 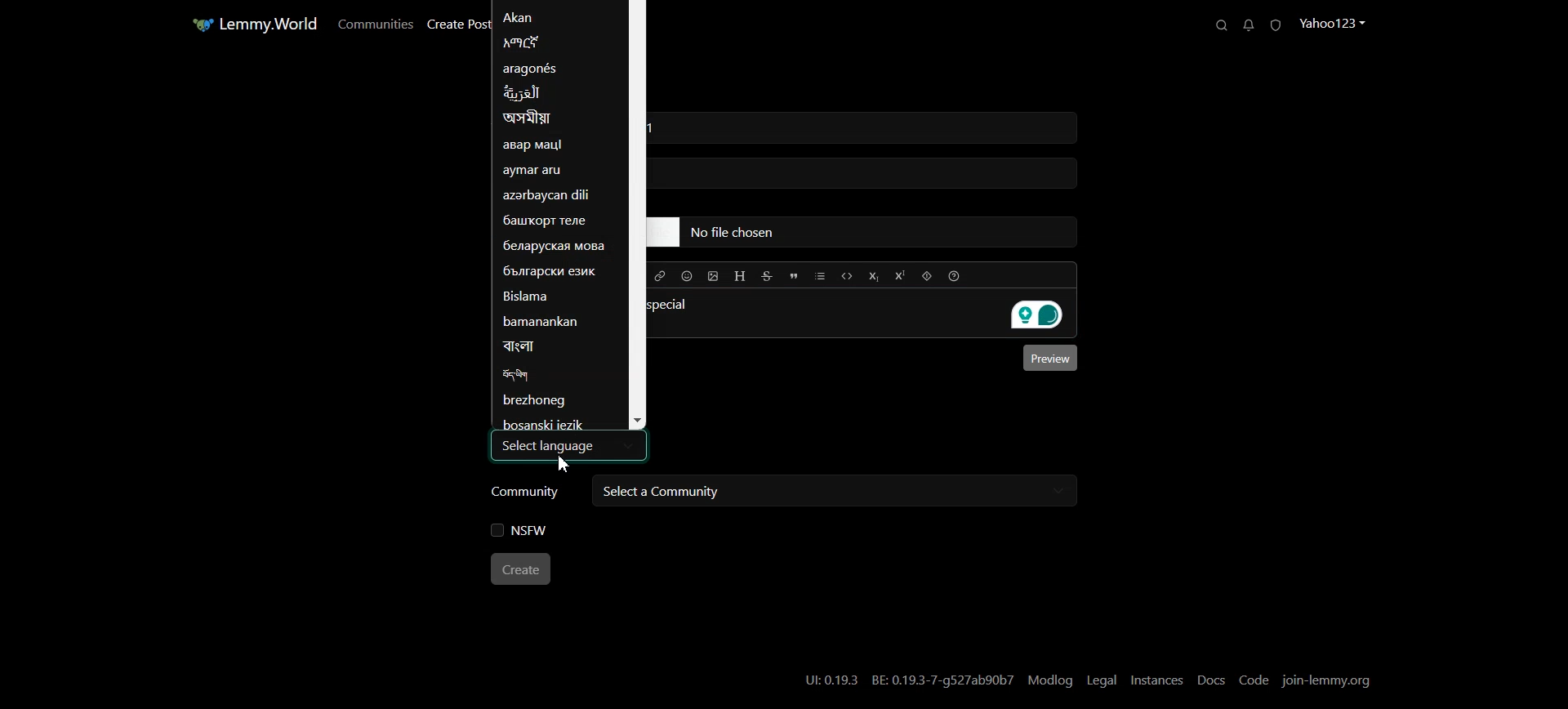 I want to click on Instances, so click(x=1157, y=680).